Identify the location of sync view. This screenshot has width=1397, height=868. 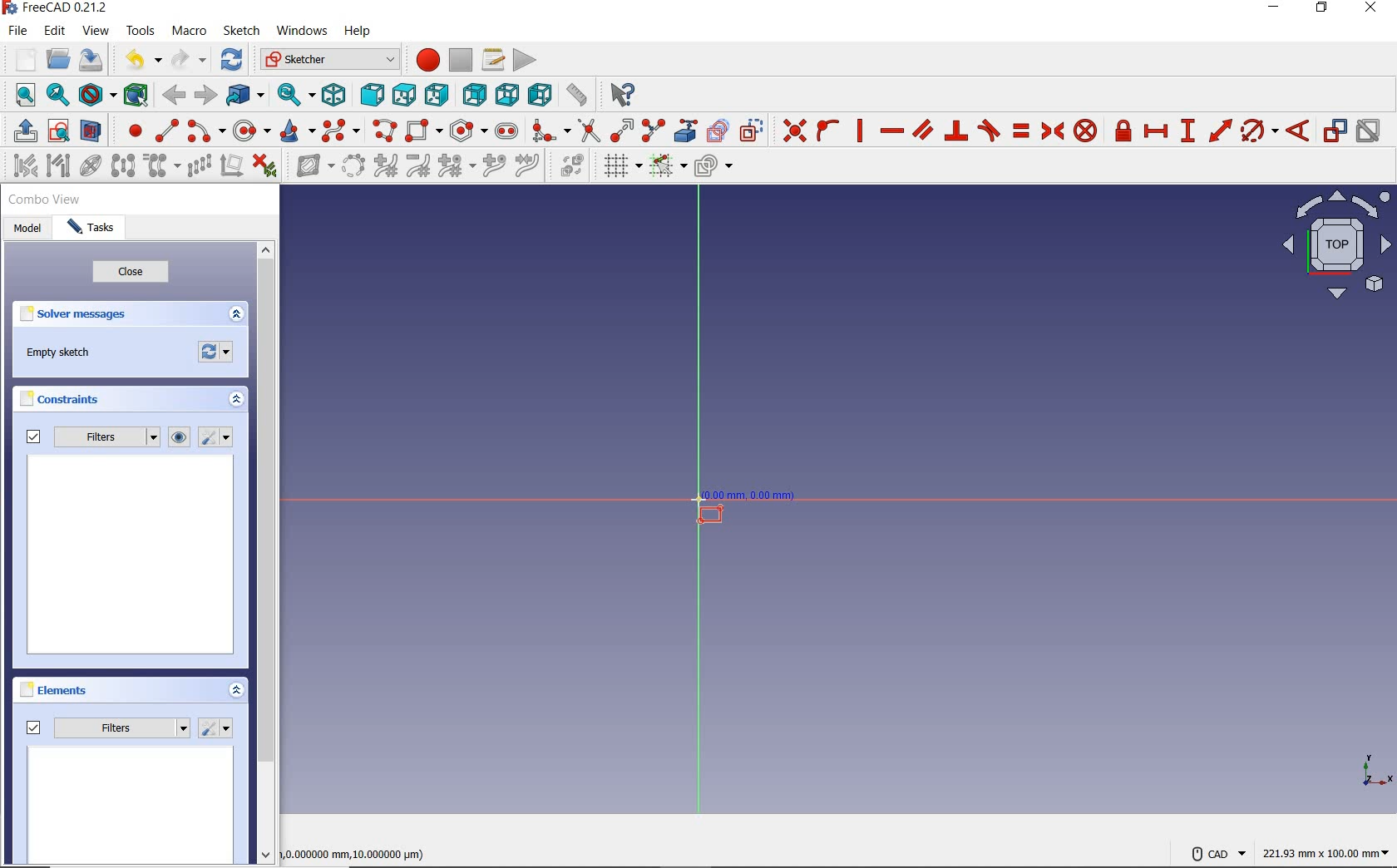
(294, 93).